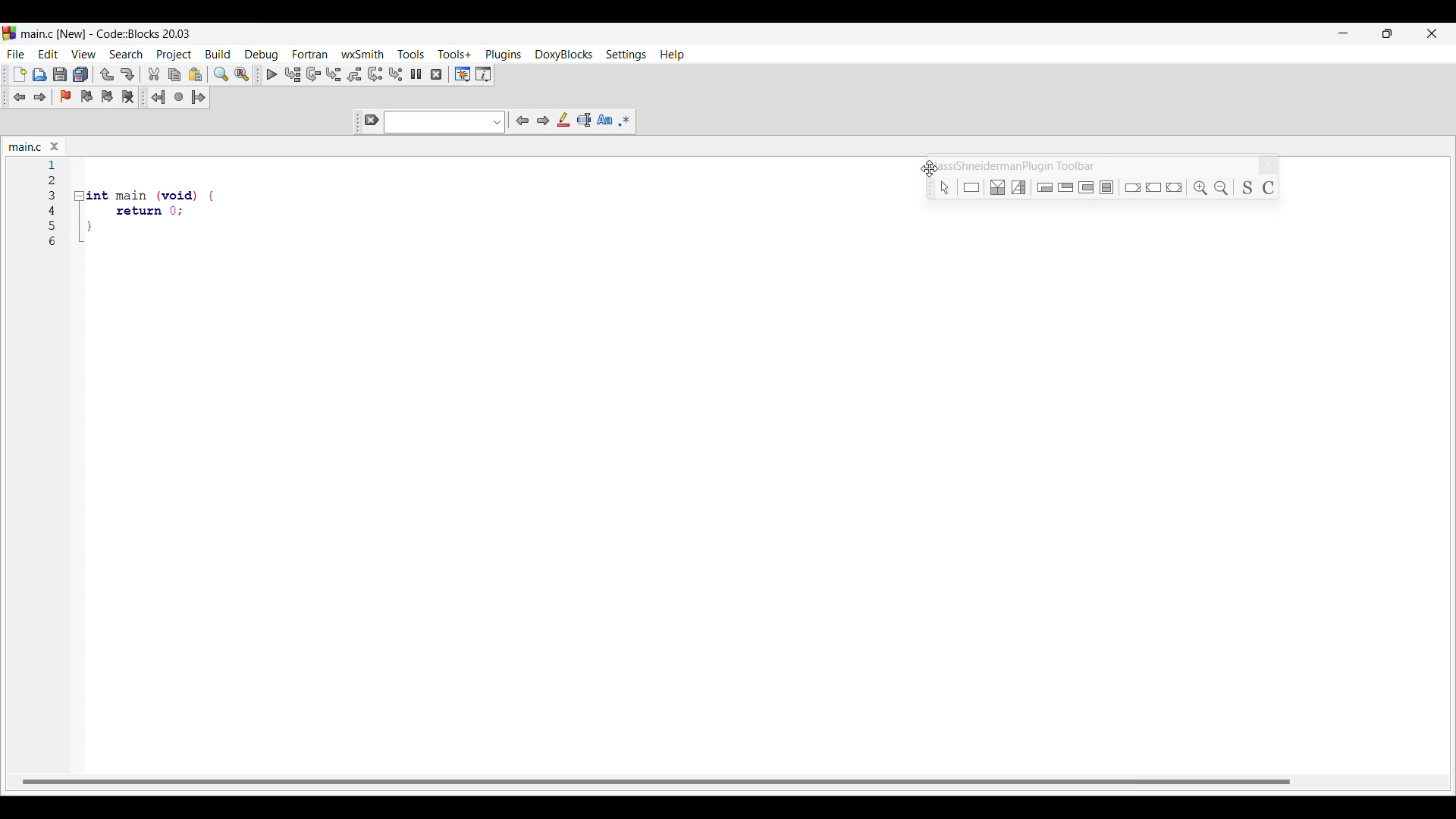 This screenshot has height=819, width=1456. What do you see at coordinates (128, 96) in the screenshot?
I see `Clear bookmarks` at bounding box center [128, 96].